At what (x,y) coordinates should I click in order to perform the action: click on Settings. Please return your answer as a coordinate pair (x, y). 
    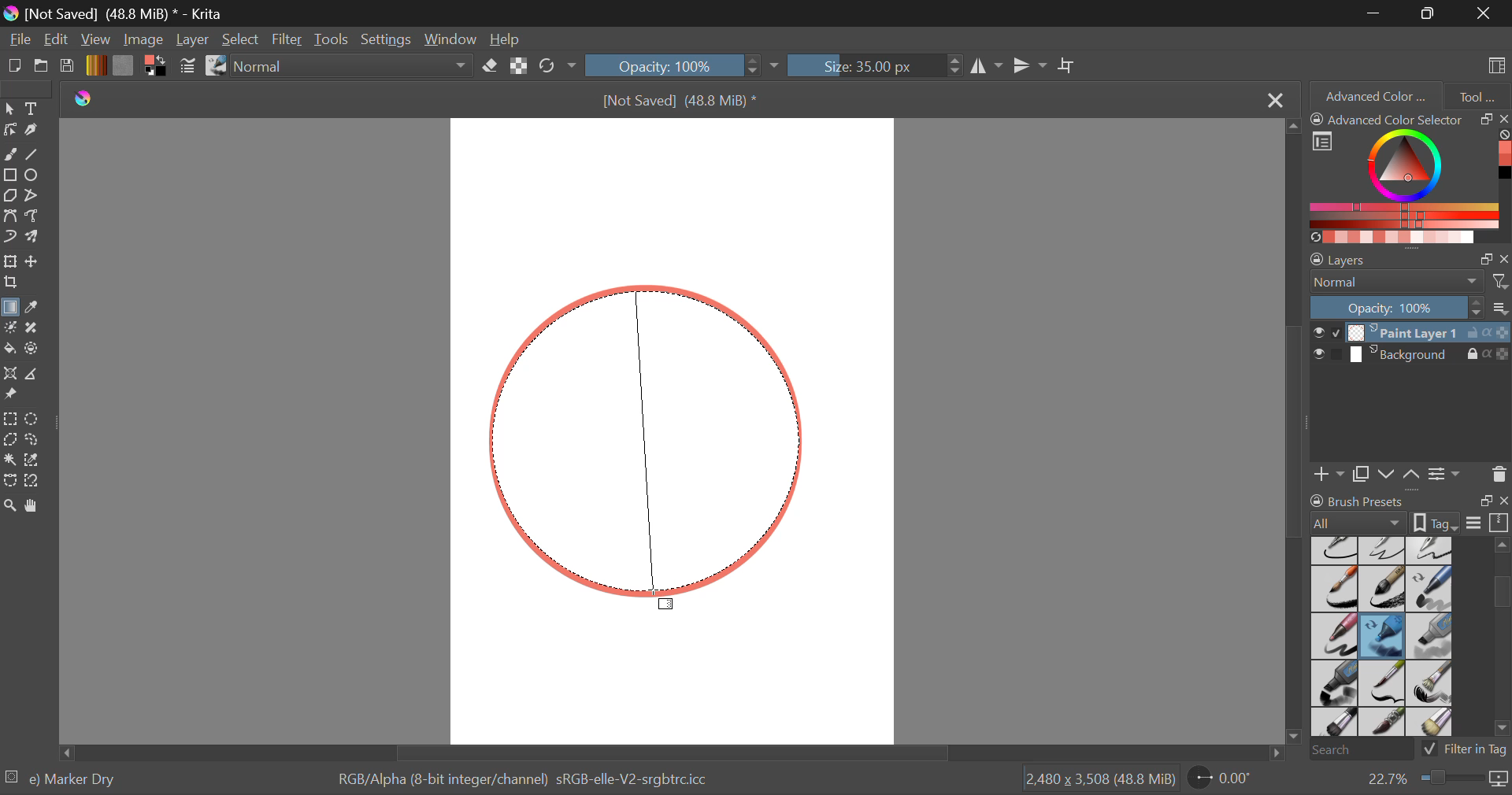
    Looking at the image, I should click on (390, 39).